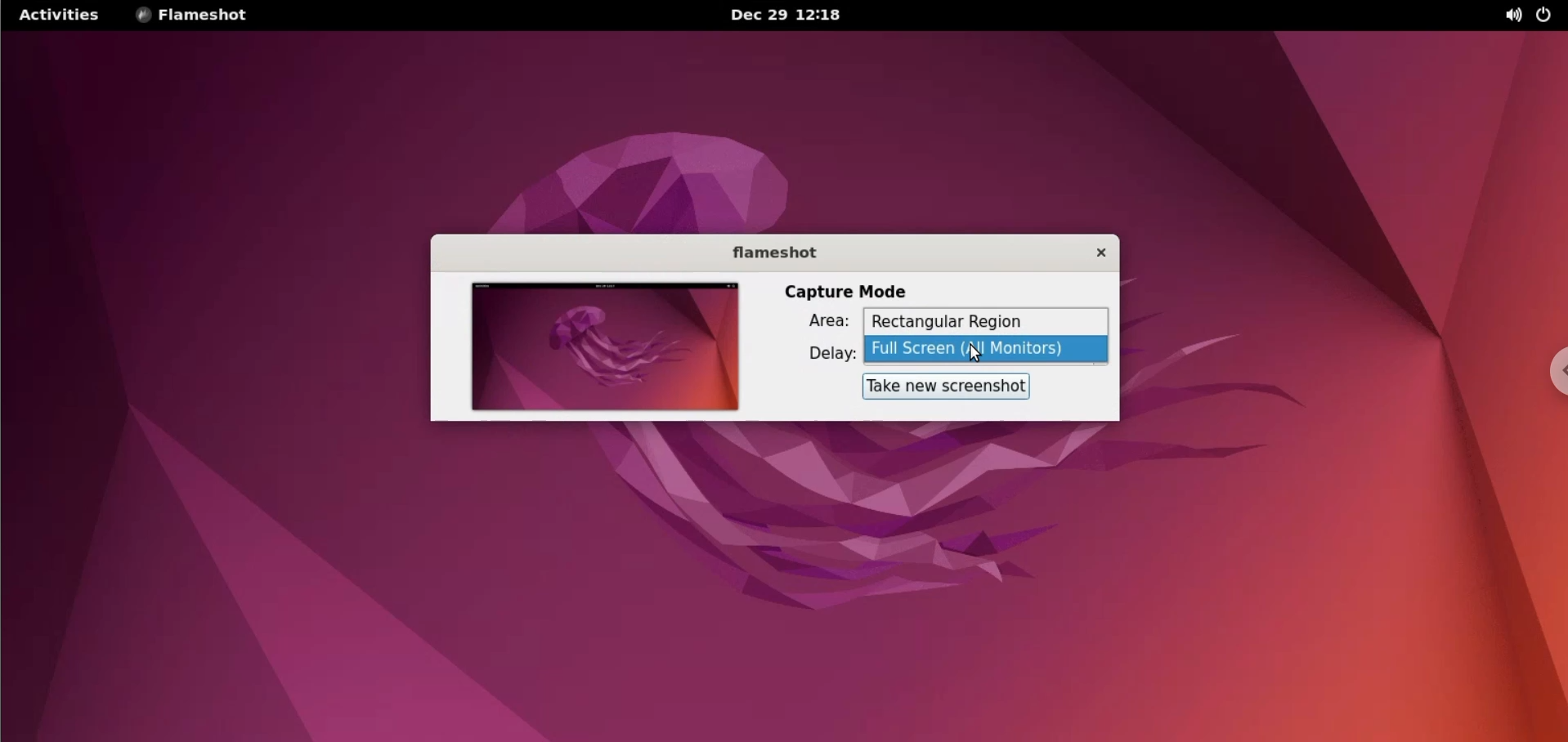 This screenshot has width=1568, height=742. Describe the element at coordinates (819, 320) in the screenshot. I see `Area label` at that location.